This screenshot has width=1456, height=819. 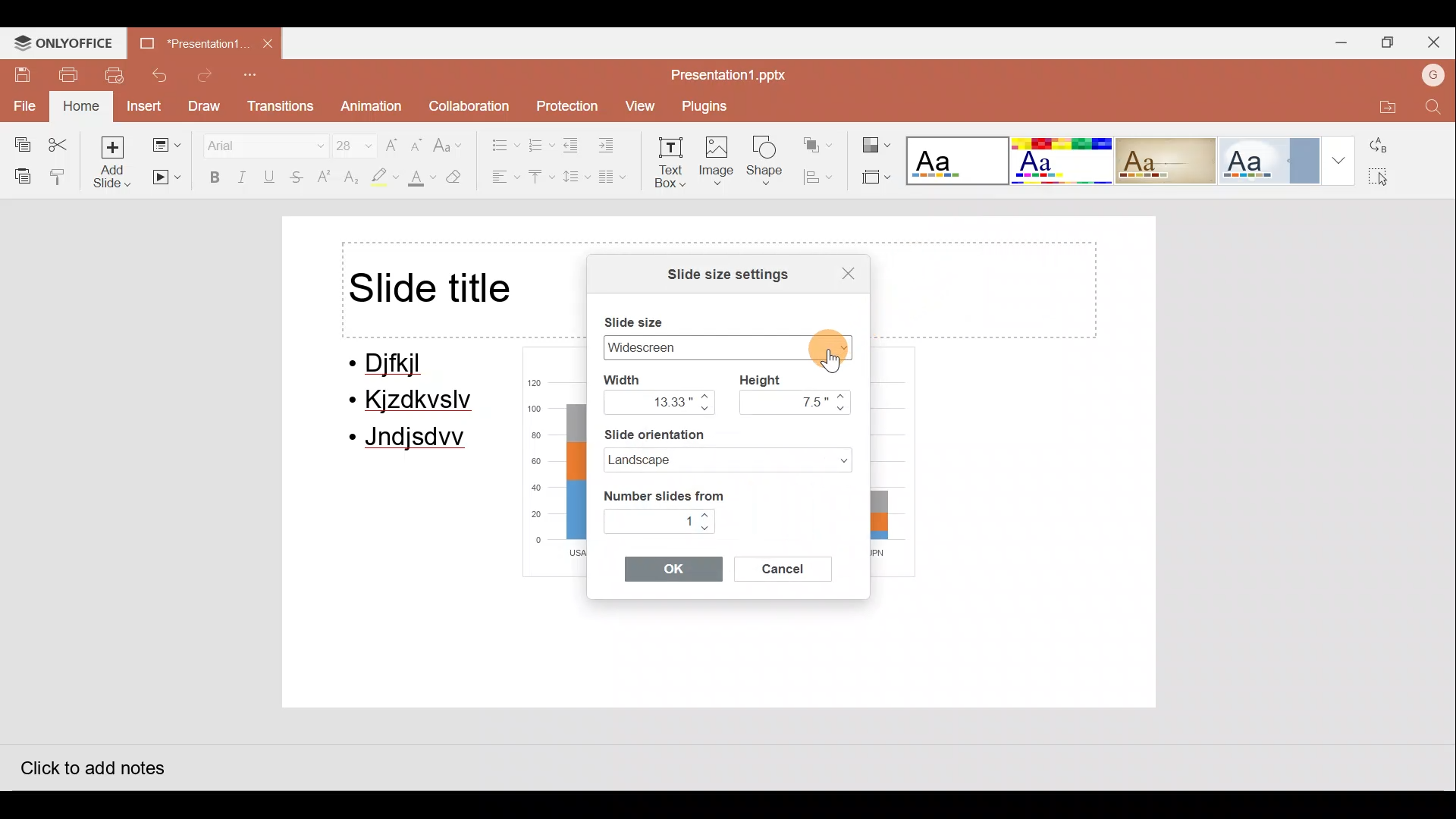 I want to click on Slide size drop down, so click(x=822, y=347).